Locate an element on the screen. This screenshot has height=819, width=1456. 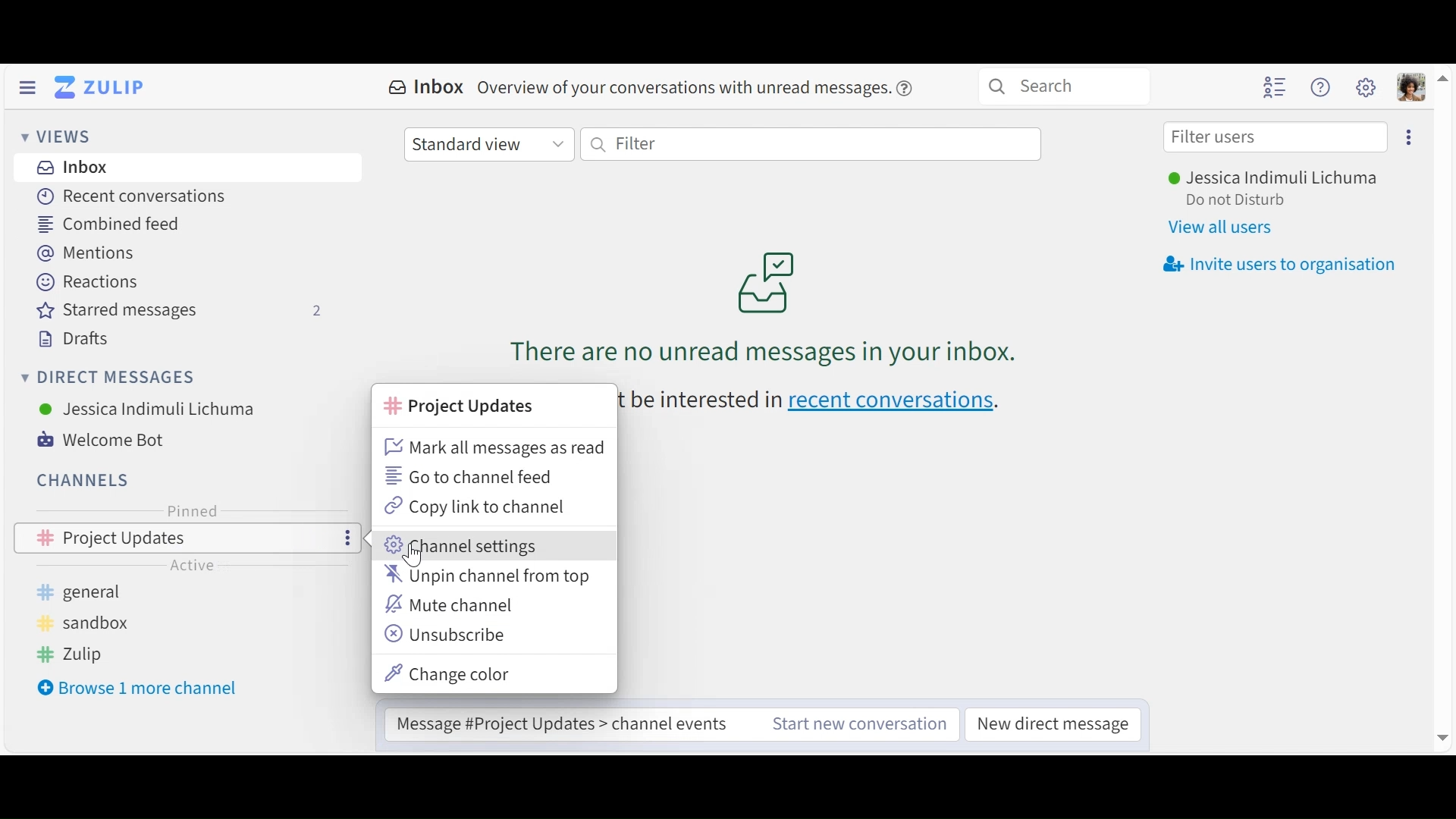
Channel name is located at coordinates (224, 567).